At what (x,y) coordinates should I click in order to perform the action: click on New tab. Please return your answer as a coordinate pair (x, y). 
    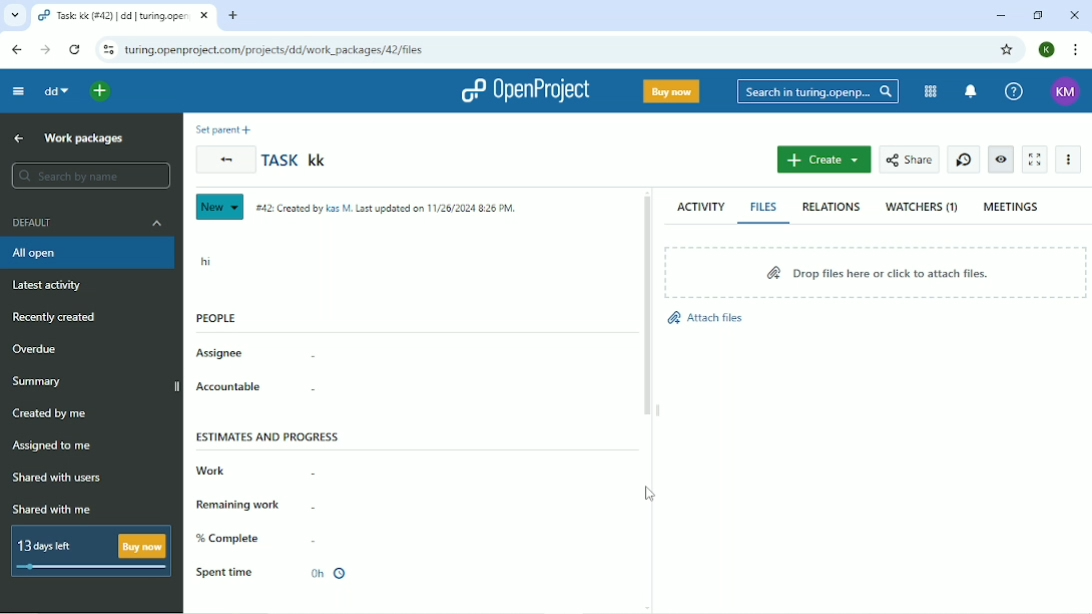
    Looking at the image, I should click on (231, 17).